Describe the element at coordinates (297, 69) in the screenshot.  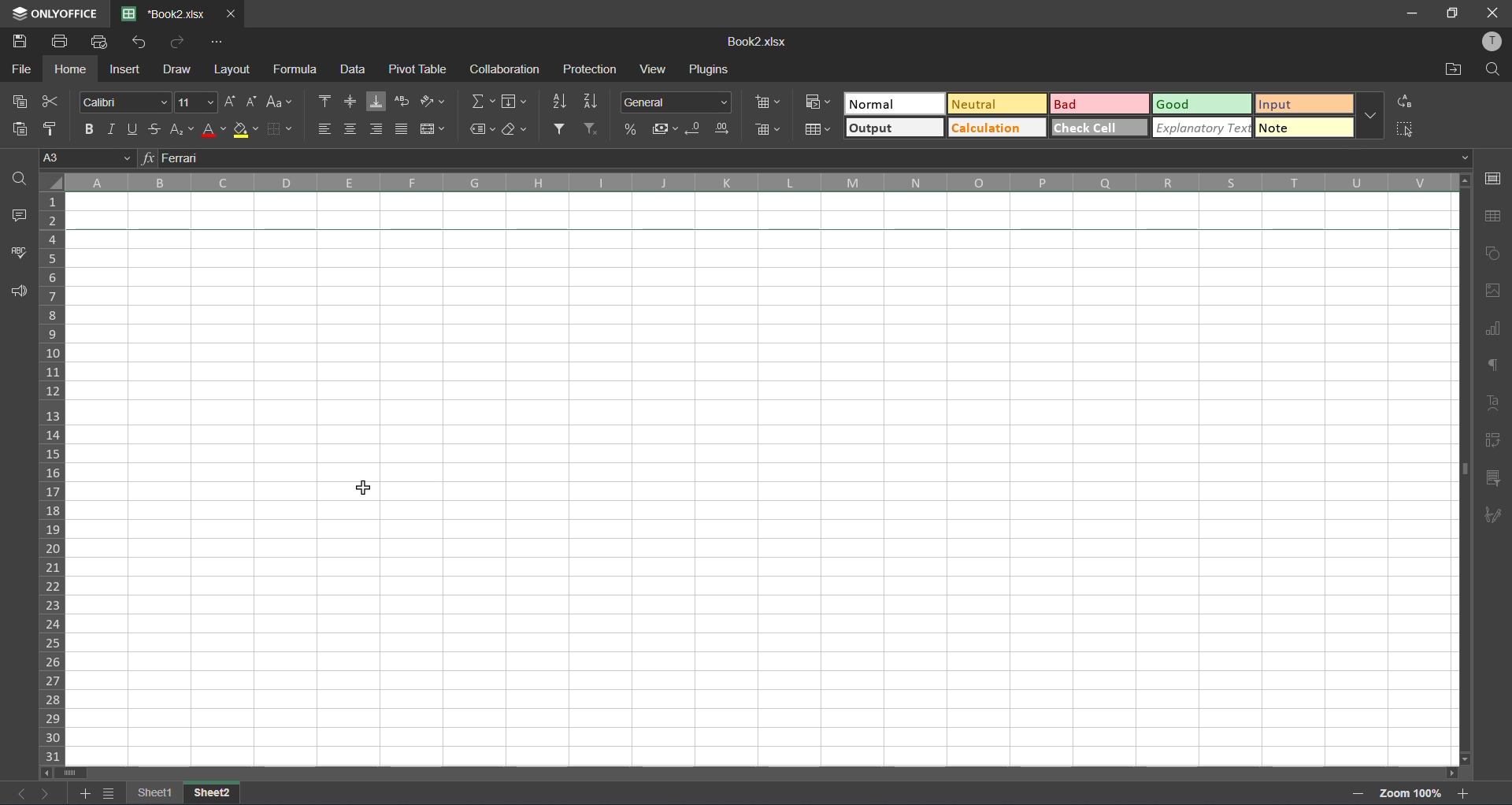
I see `formula` at that location.